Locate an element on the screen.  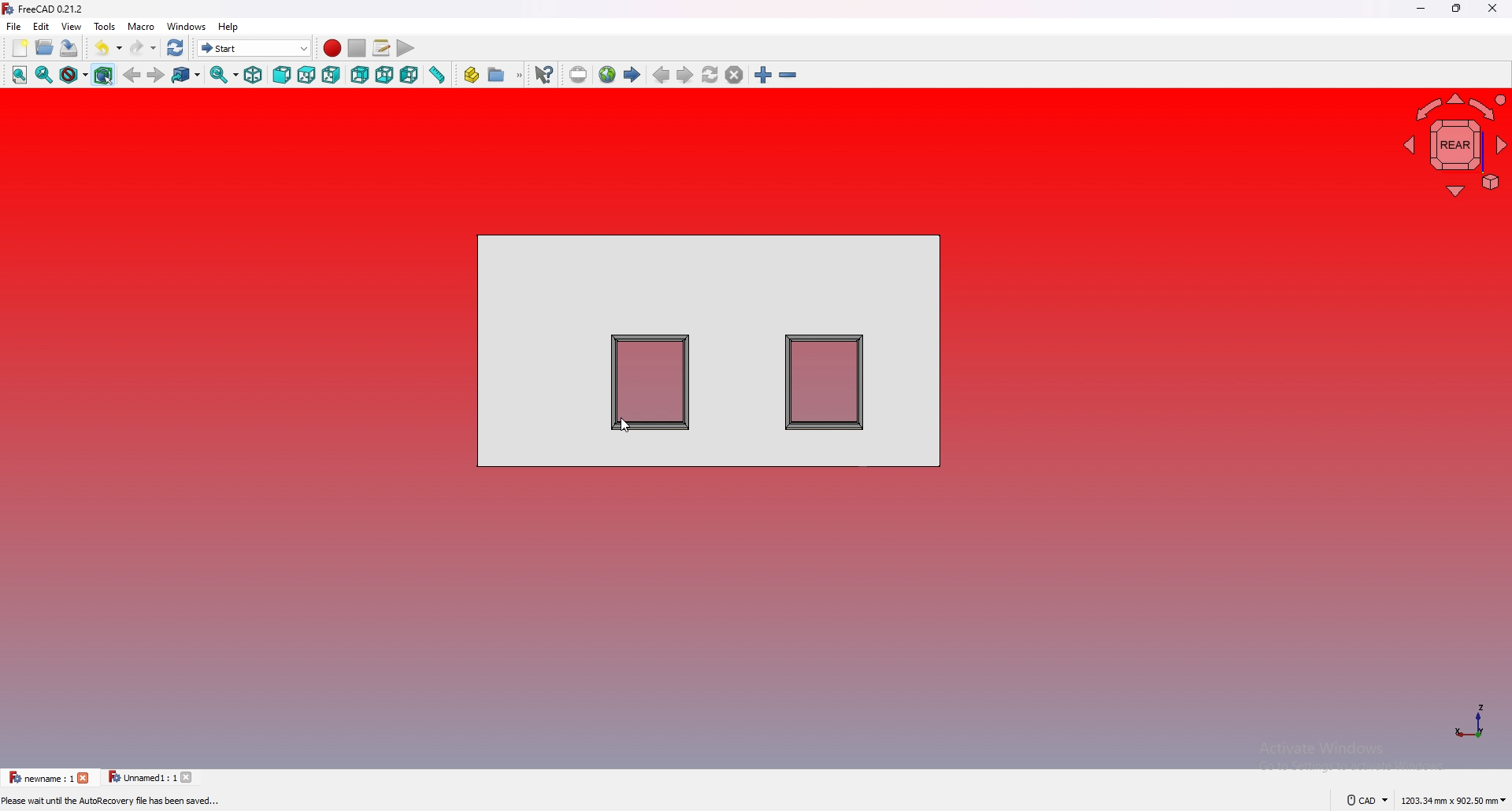
go to linked object is located at coordinates (187, 76).